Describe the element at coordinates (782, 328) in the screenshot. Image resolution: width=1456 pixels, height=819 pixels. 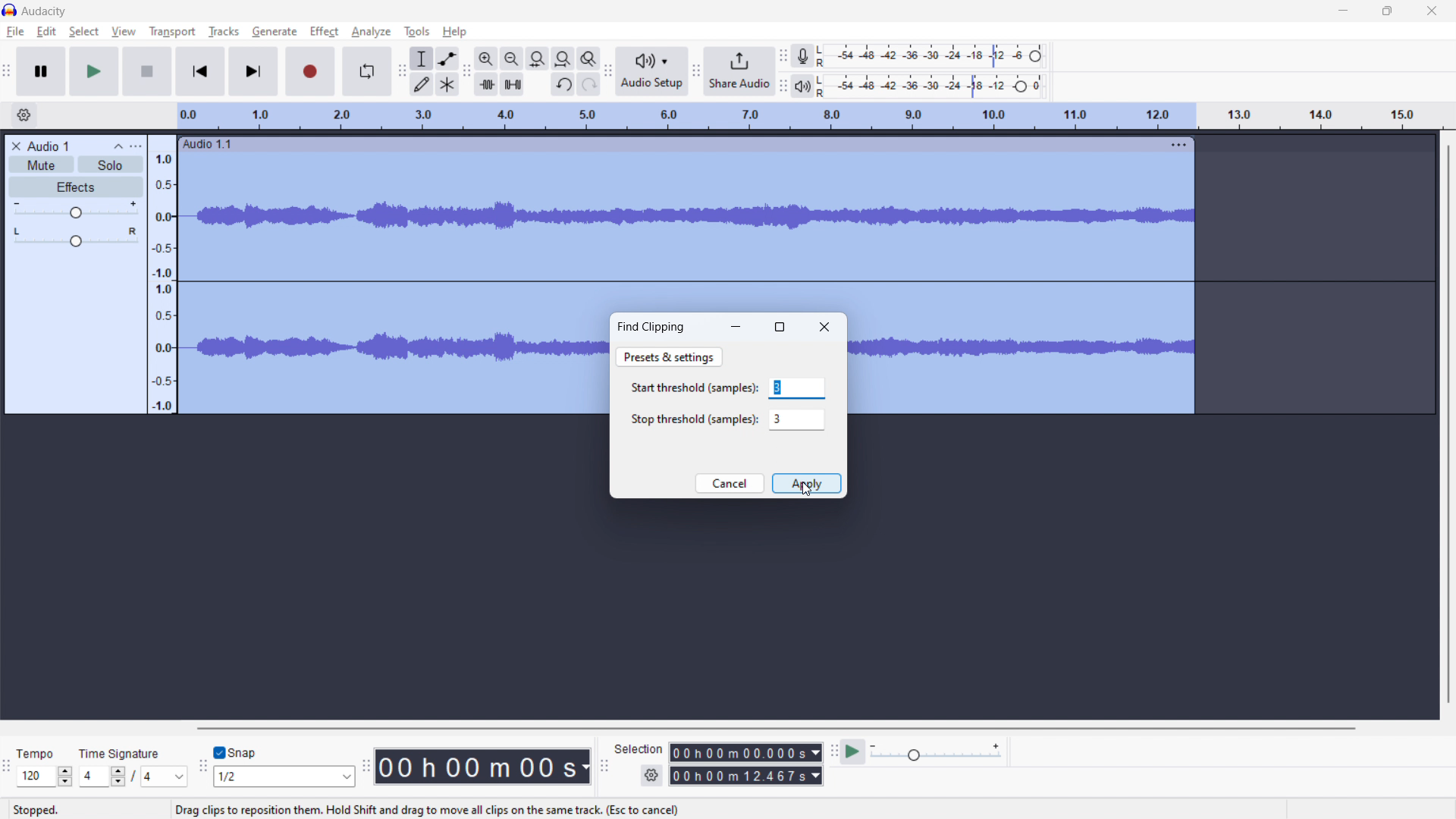
I see `maximize` at that location.